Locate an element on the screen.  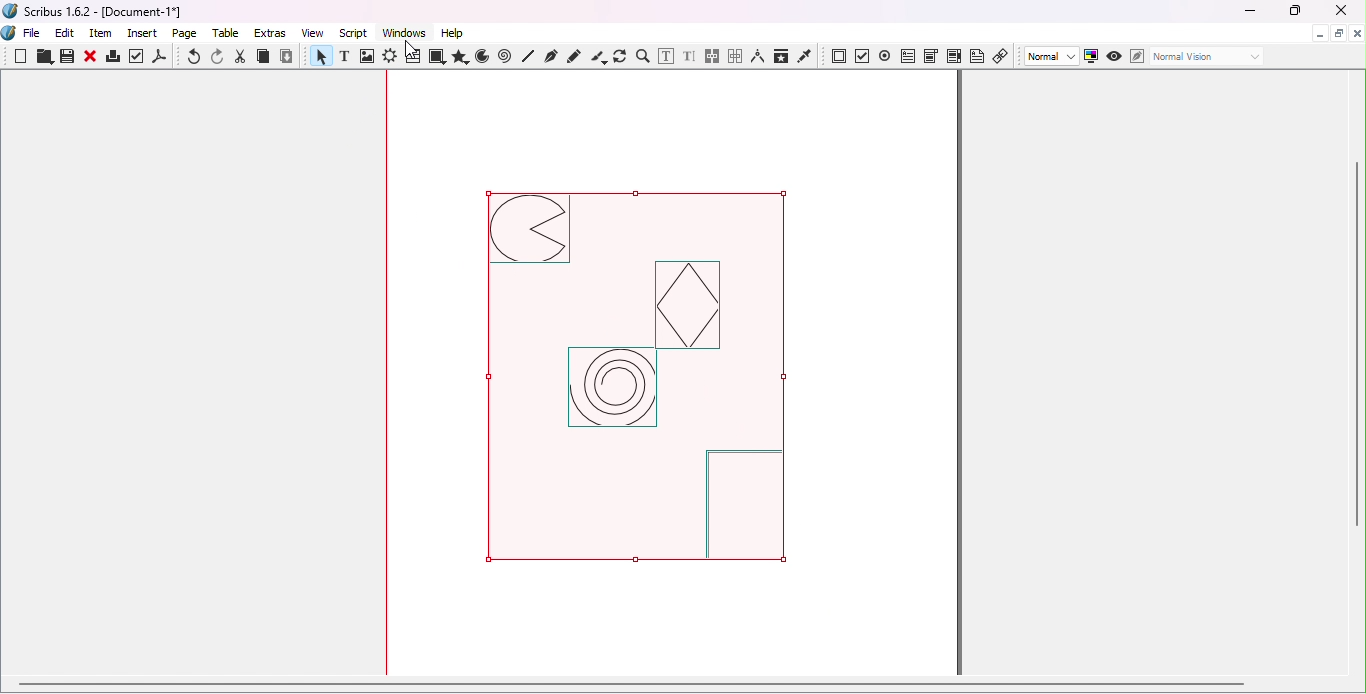
Print is located at coordinates (112, 59).